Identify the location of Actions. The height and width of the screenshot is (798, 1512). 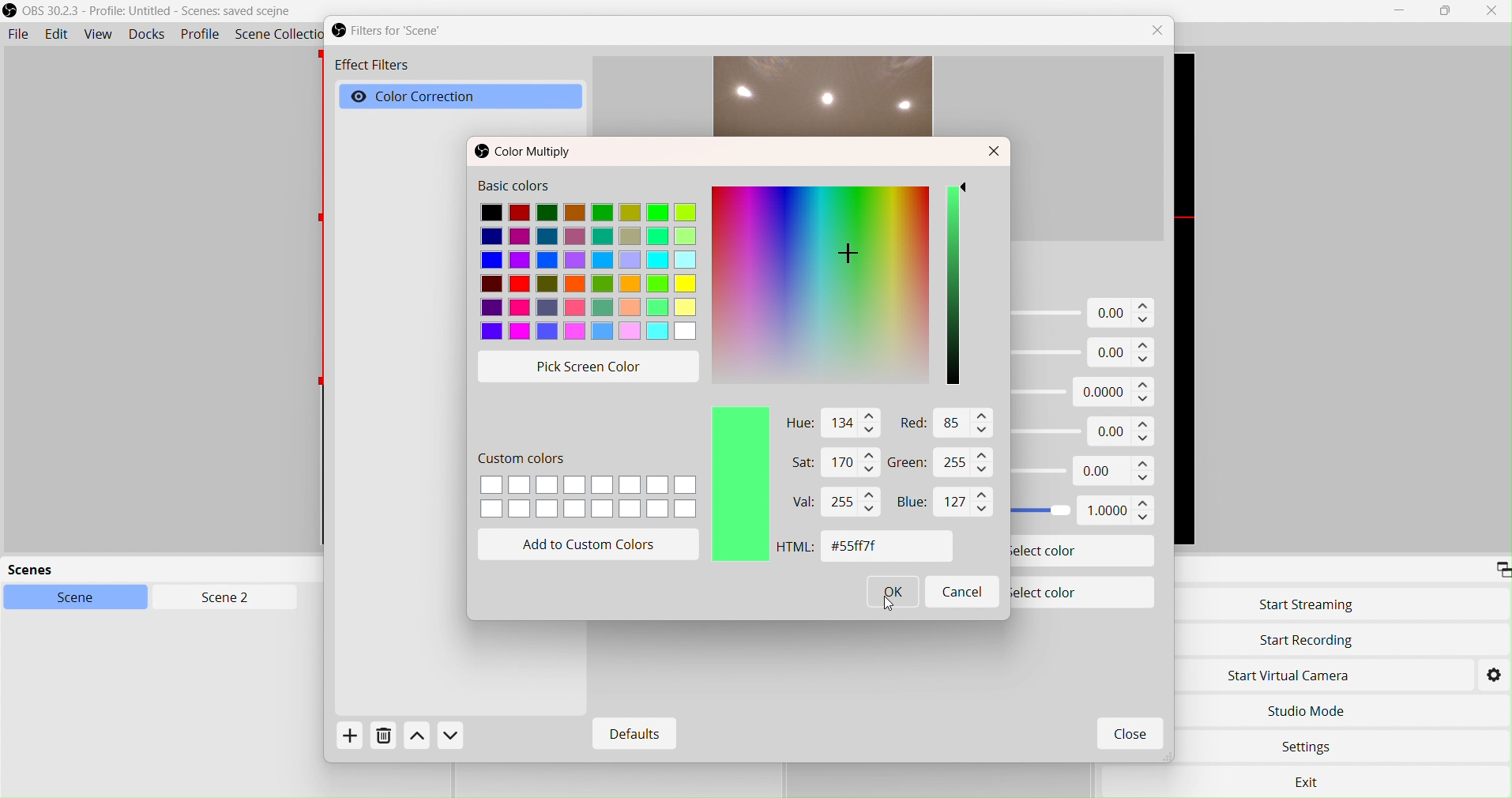
(434, 737).